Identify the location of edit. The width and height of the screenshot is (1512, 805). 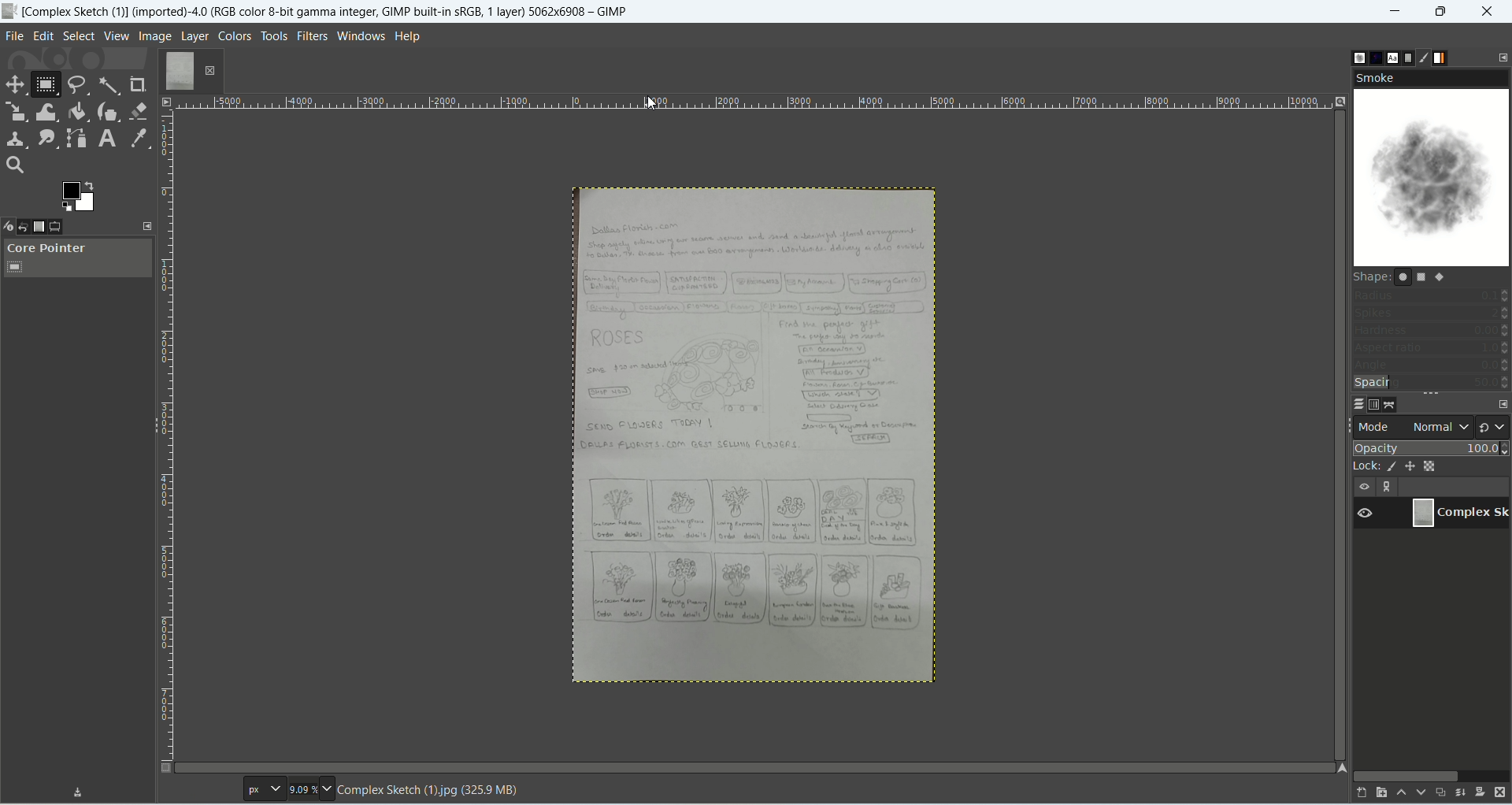
(48, 35).